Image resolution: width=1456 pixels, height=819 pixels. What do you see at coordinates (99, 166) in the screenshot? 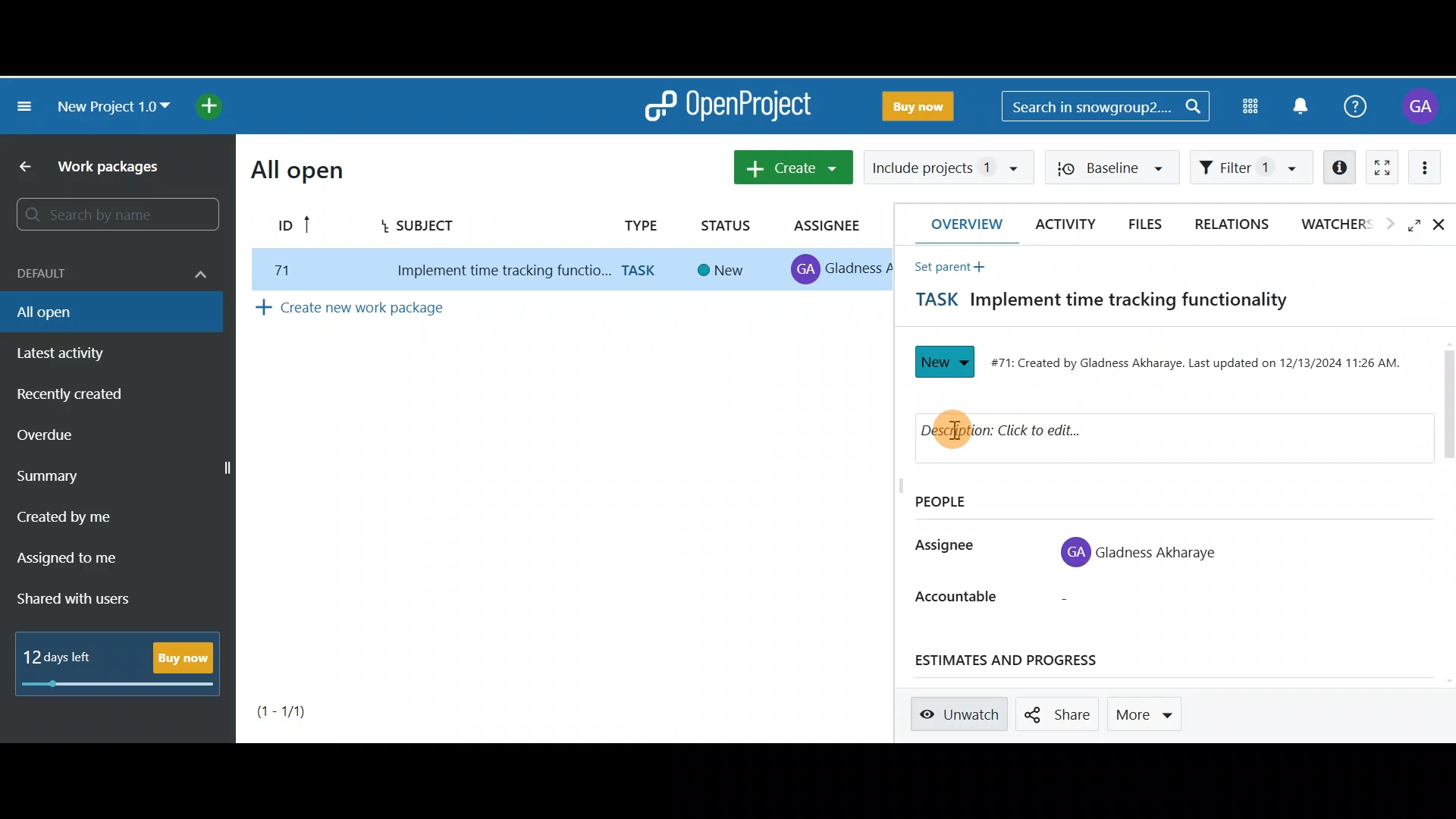
I see `Work packages` at bounding box center [99, 166].